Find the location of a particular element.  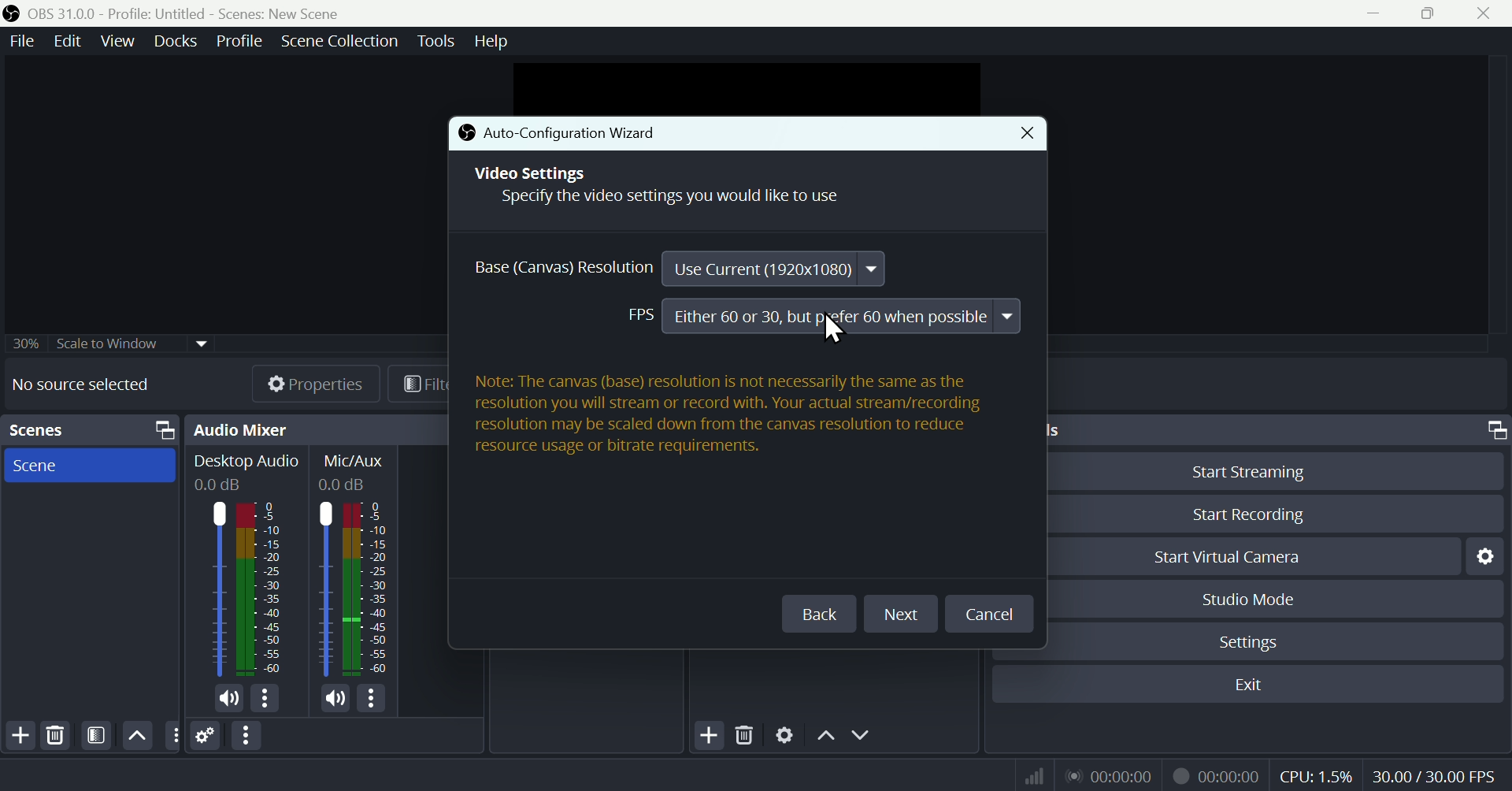

Tools is located at coordinates (439, 41).